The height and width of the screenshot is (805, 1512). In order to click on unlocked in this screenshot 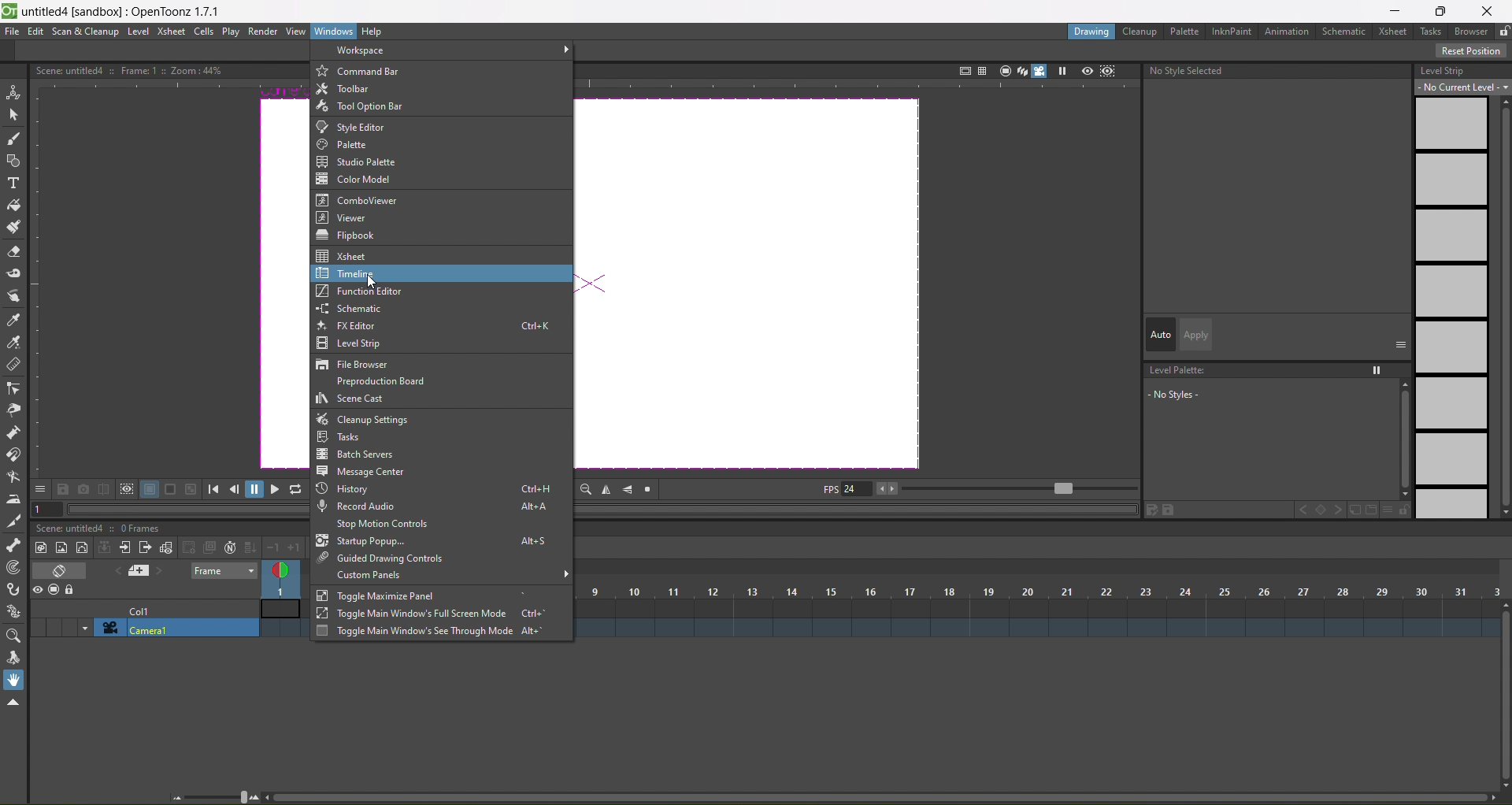, I will do `click(1503, 31)`.